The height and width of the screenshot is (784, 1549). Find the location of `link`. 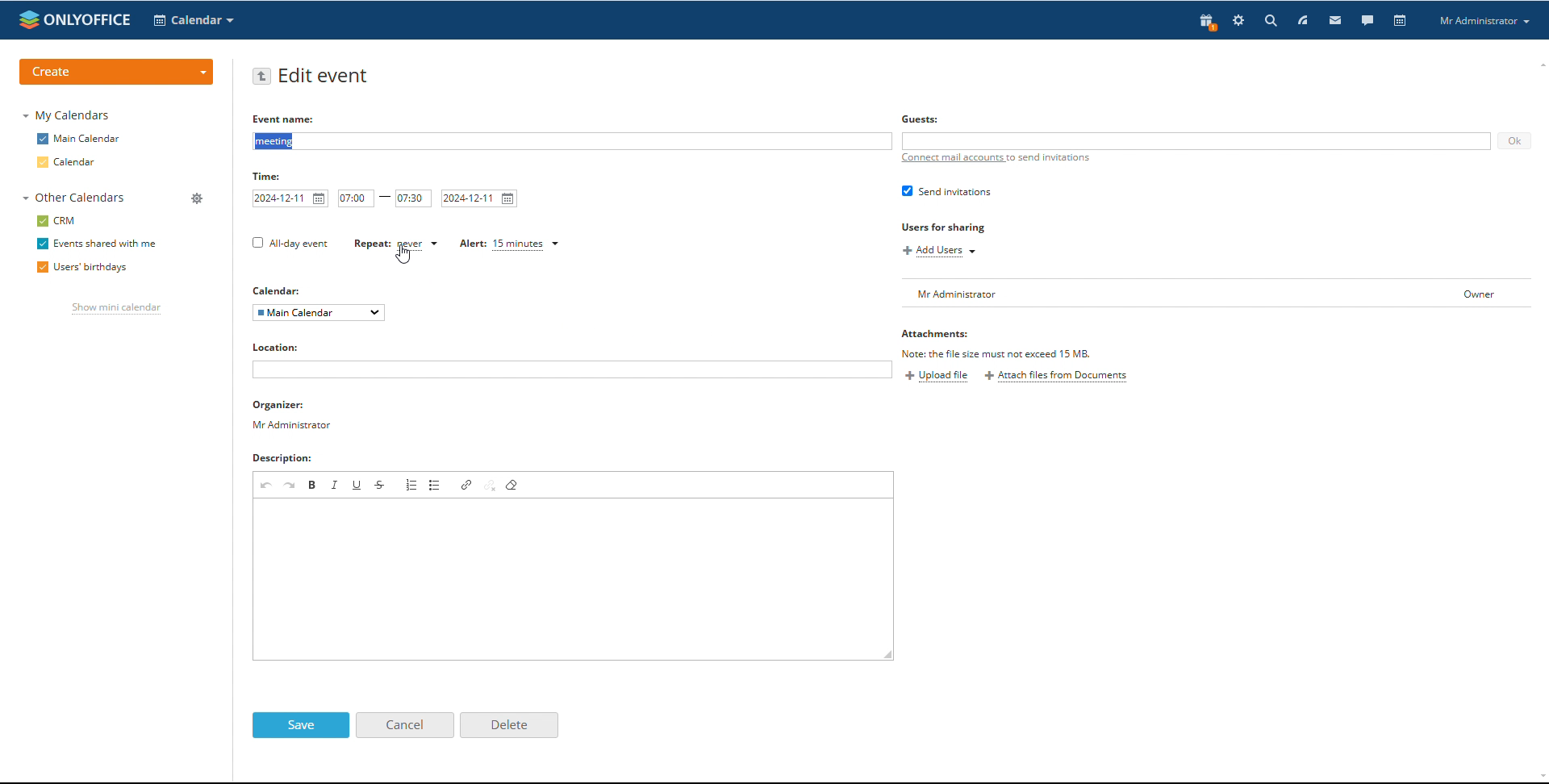

link is located at coordinates (469, 485).